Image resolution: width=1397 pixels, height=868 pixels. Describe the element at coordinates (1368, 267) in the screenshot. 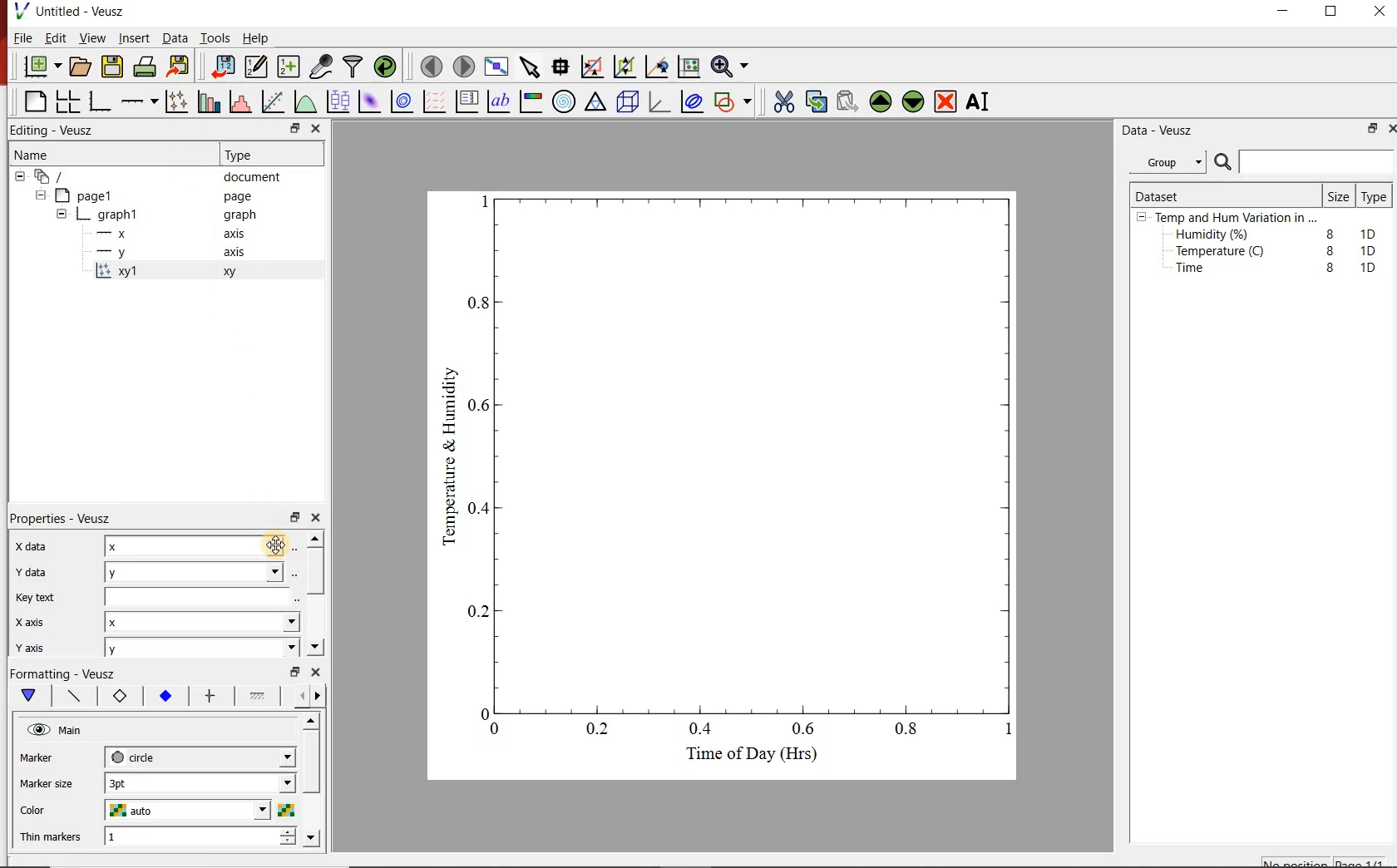

I see `1D` at that location.